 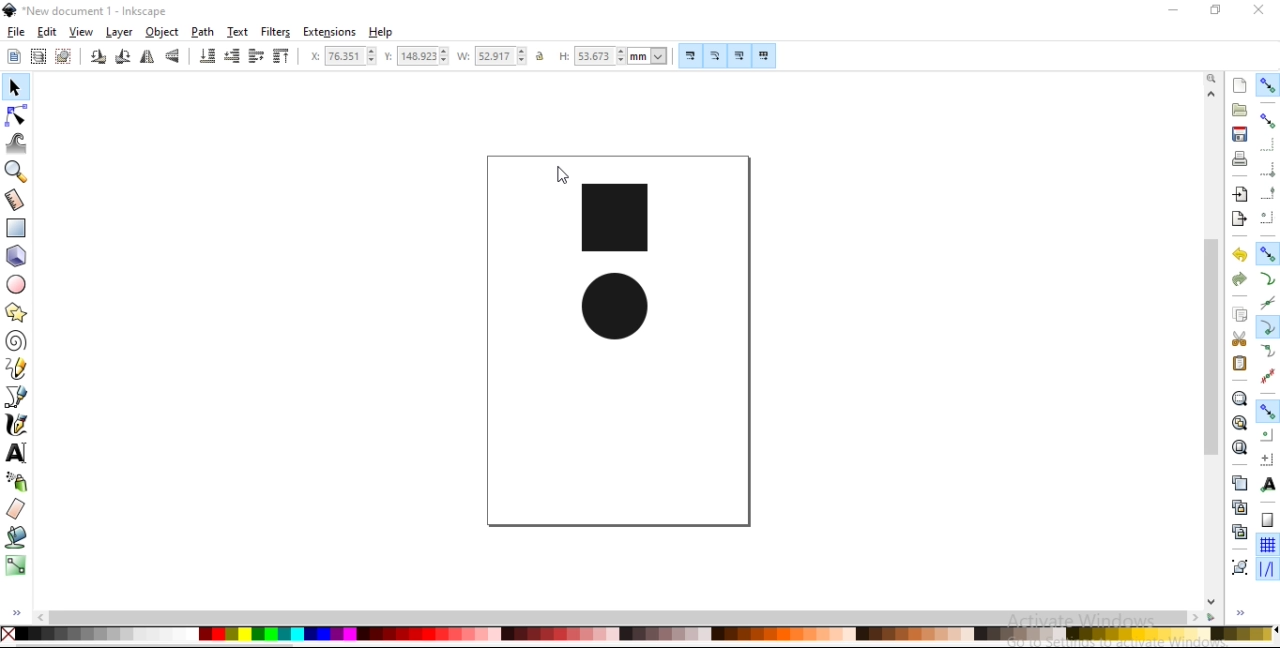 What do you see at coordinates (1267, 544) in the screenshot?
I see `snap to grids` at bounding box center [1267, 544].